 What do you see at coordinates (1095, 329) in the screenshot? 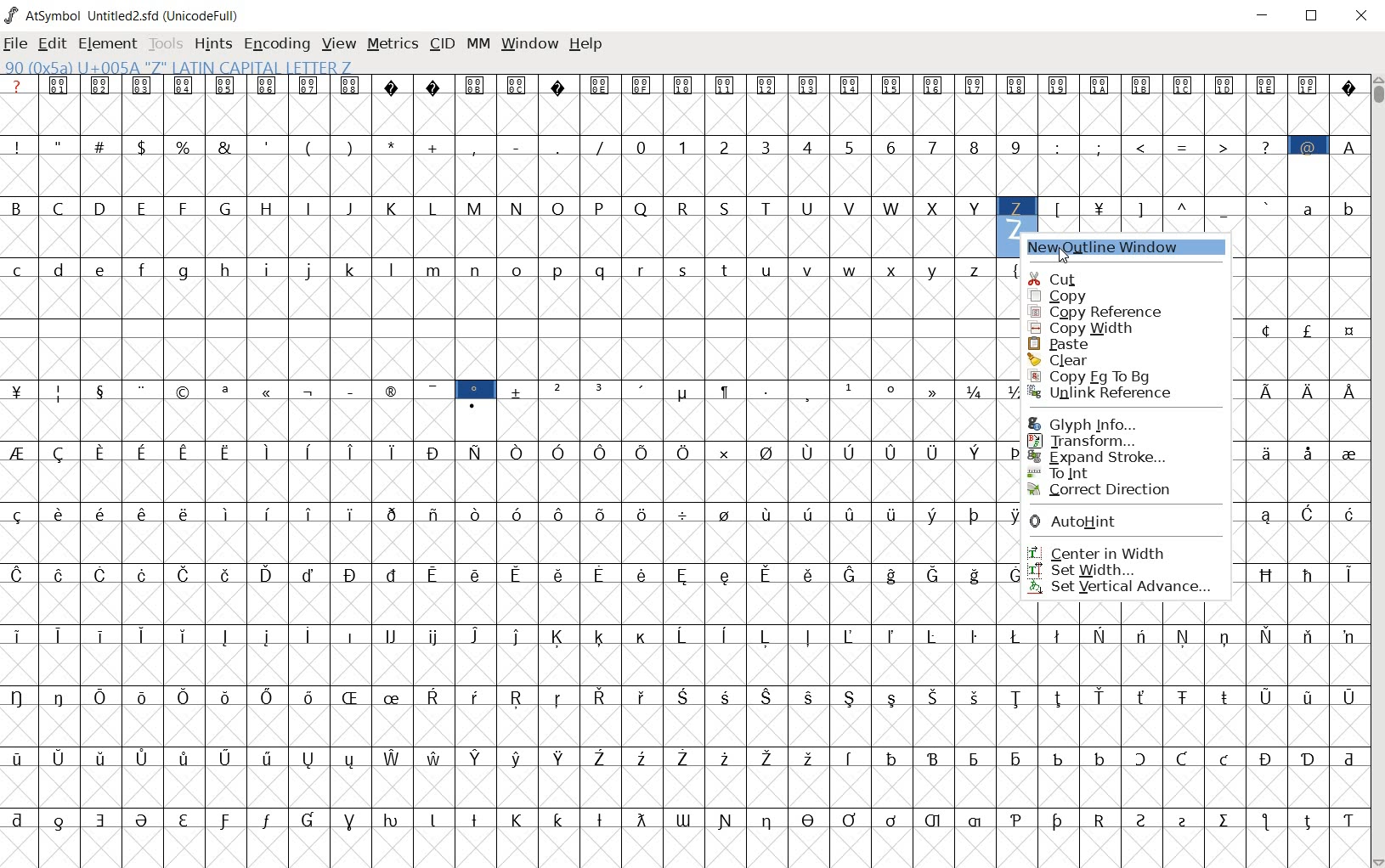
I see `copy width` at bounding box center [1095, 329].